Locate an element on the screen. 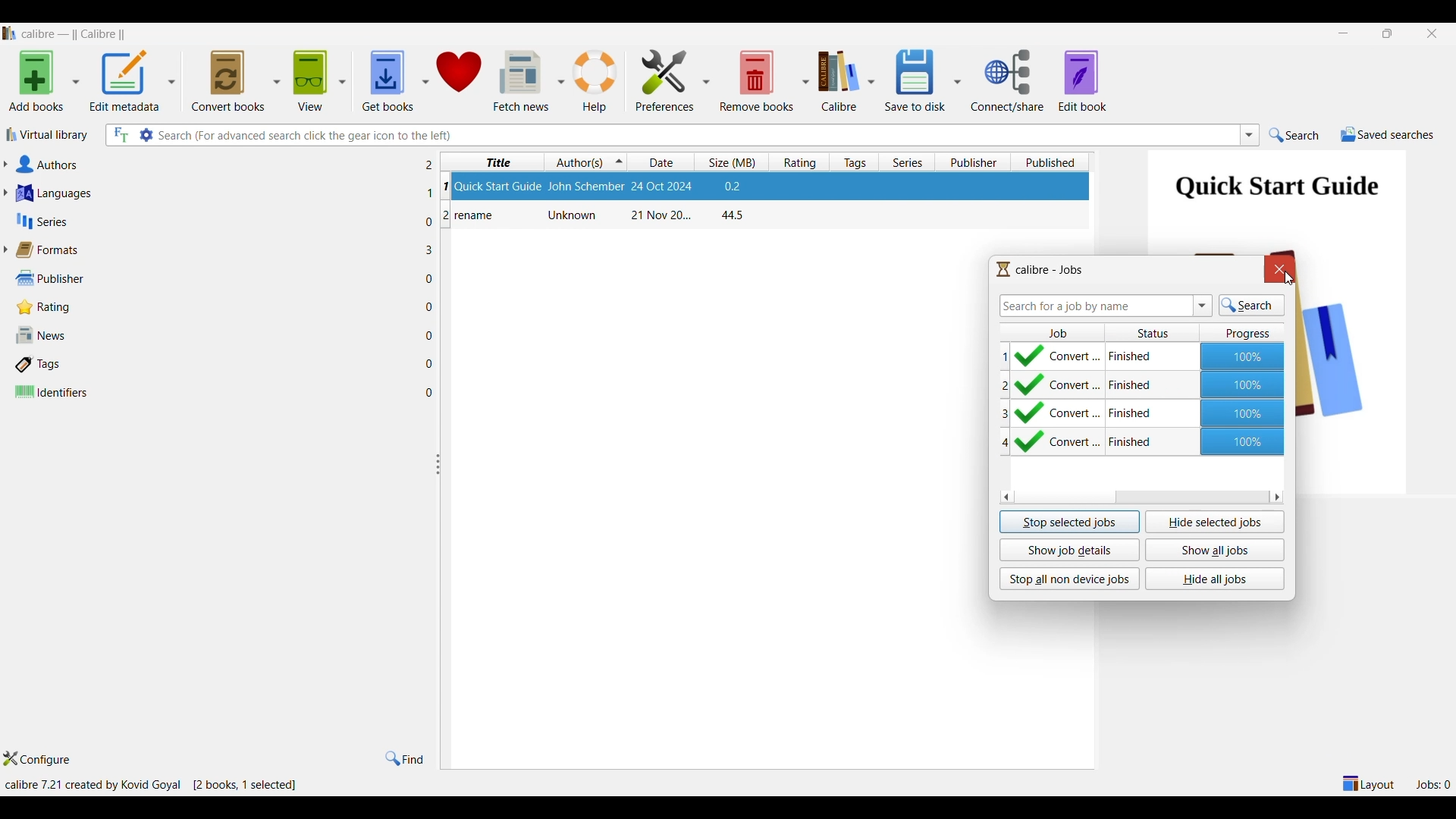  View is located at coordinates (310, 81).